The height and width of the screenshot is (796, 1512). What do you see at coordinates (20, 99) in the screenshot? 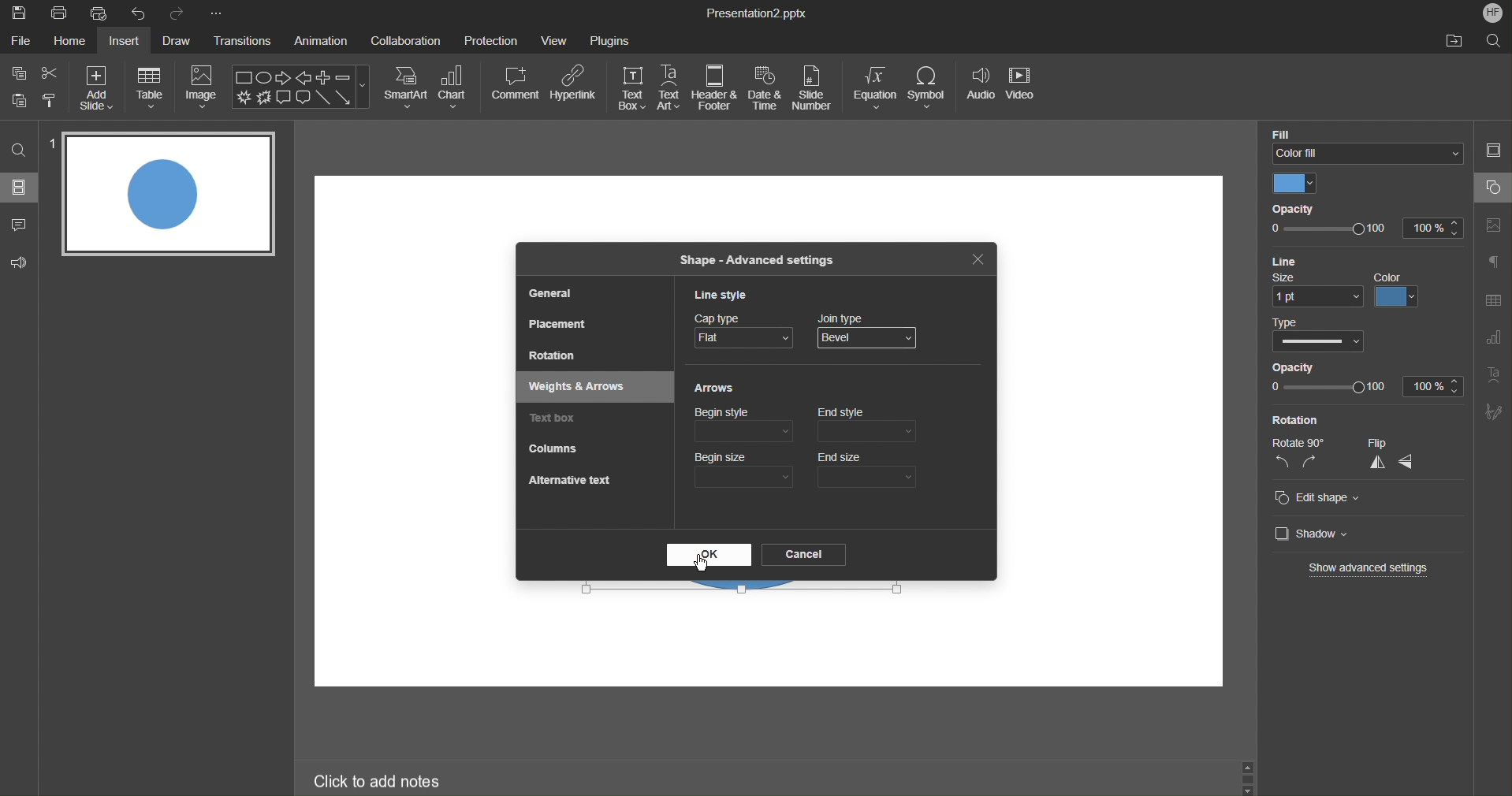
I see `` at bounding box center [20, 99].